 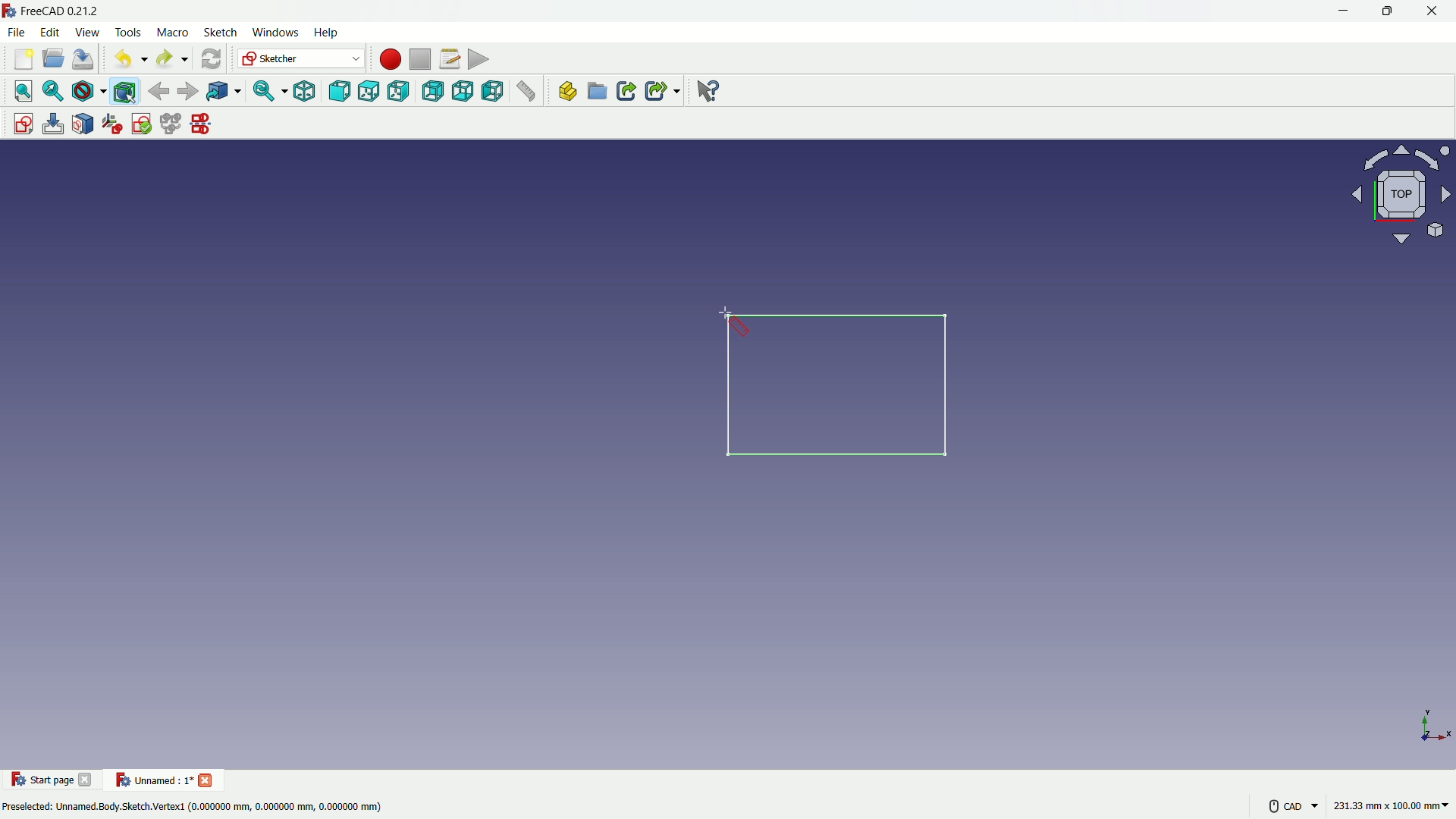 What do you see at coordinates (445, 60) in the screenshot?
I see `macro settings` at bounding box center [445, 60].